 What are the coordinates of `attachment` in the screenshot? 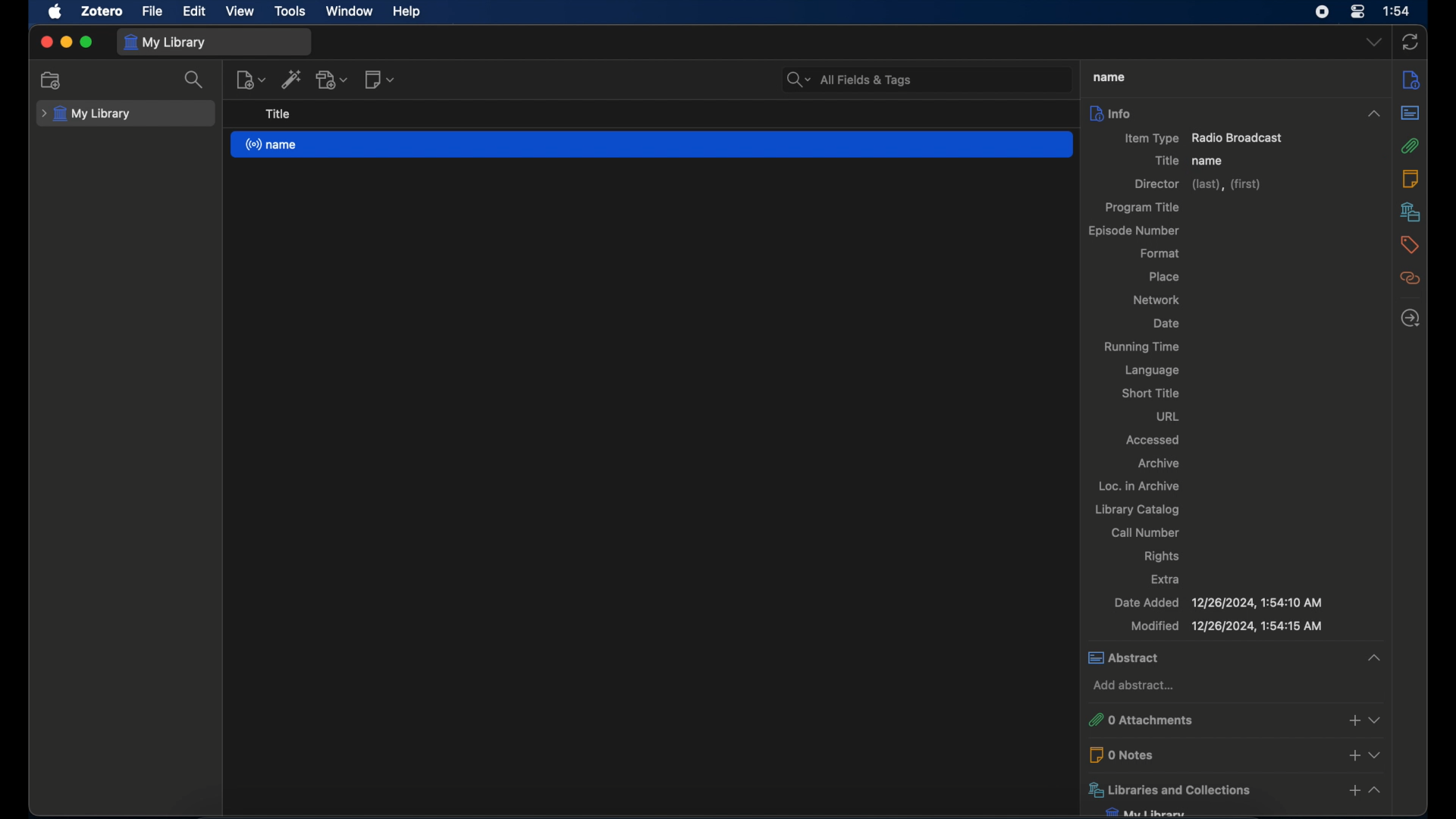 It's located at (1411, 146).